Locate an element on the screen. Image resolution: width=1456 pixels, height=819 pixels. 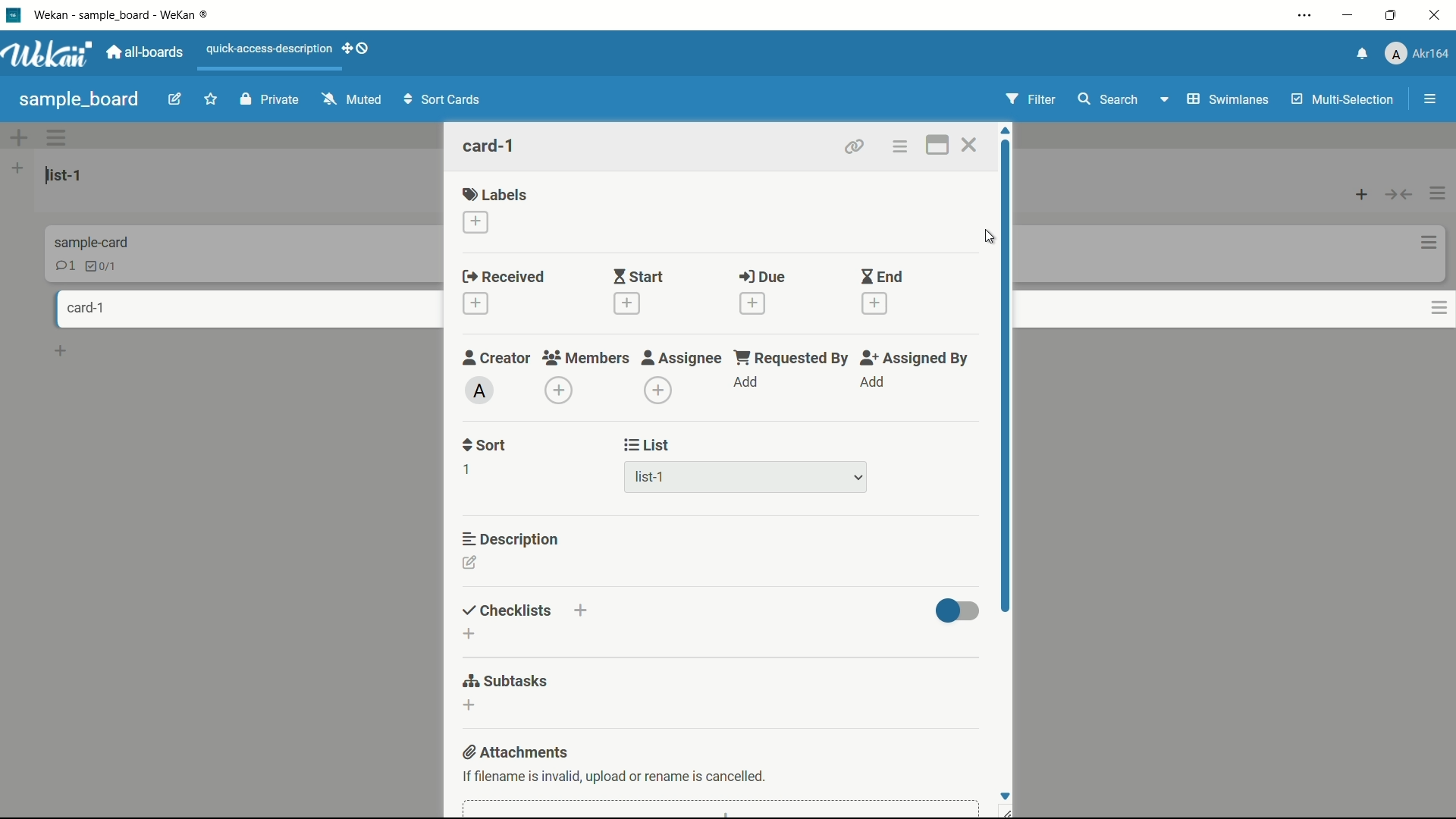
if filename is invalid upload or rename is cancelled. is located at coordinates (616, 776).